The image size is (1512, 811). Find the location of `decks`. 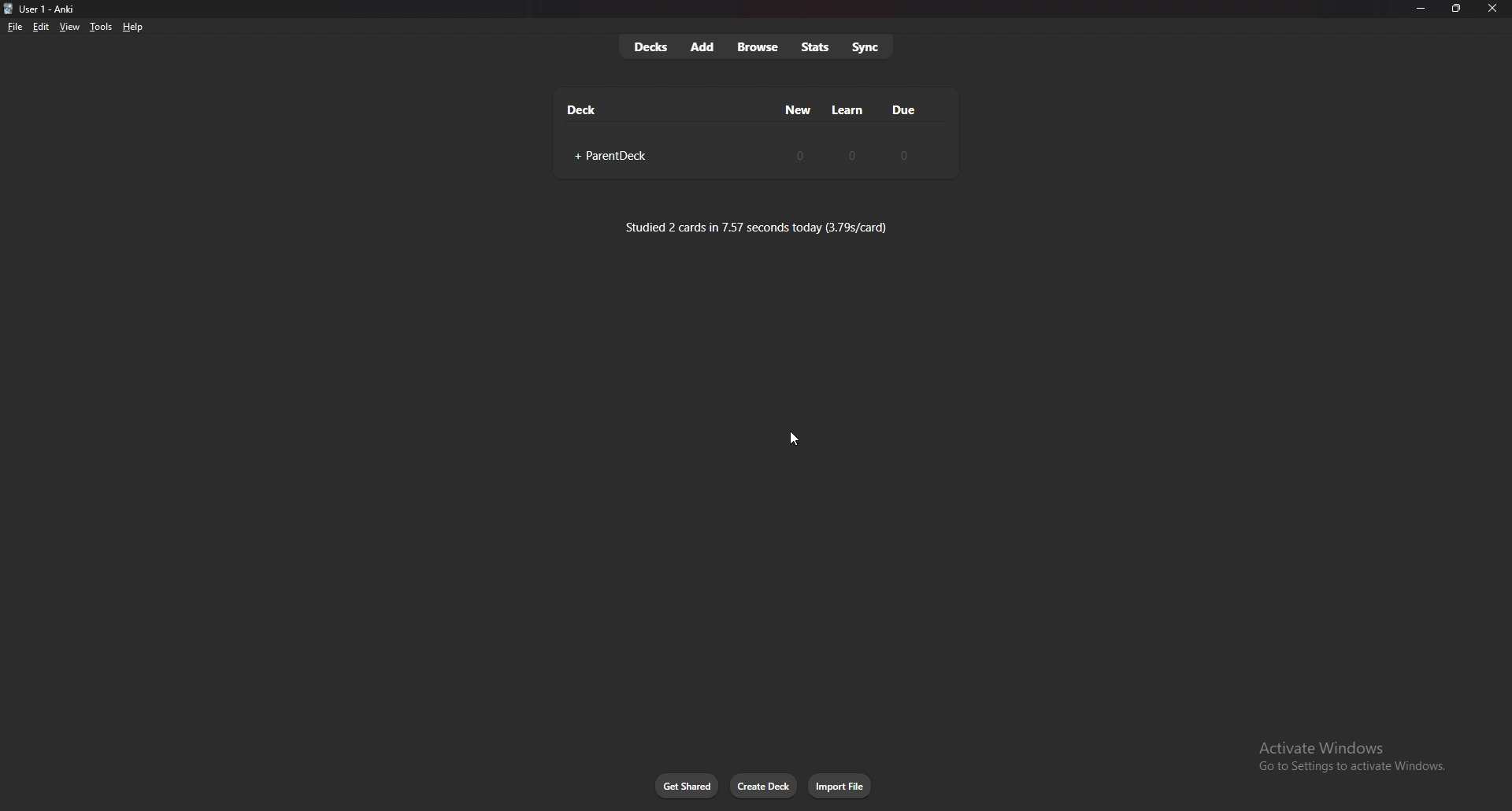

decks is located at coordinates (650, 47).